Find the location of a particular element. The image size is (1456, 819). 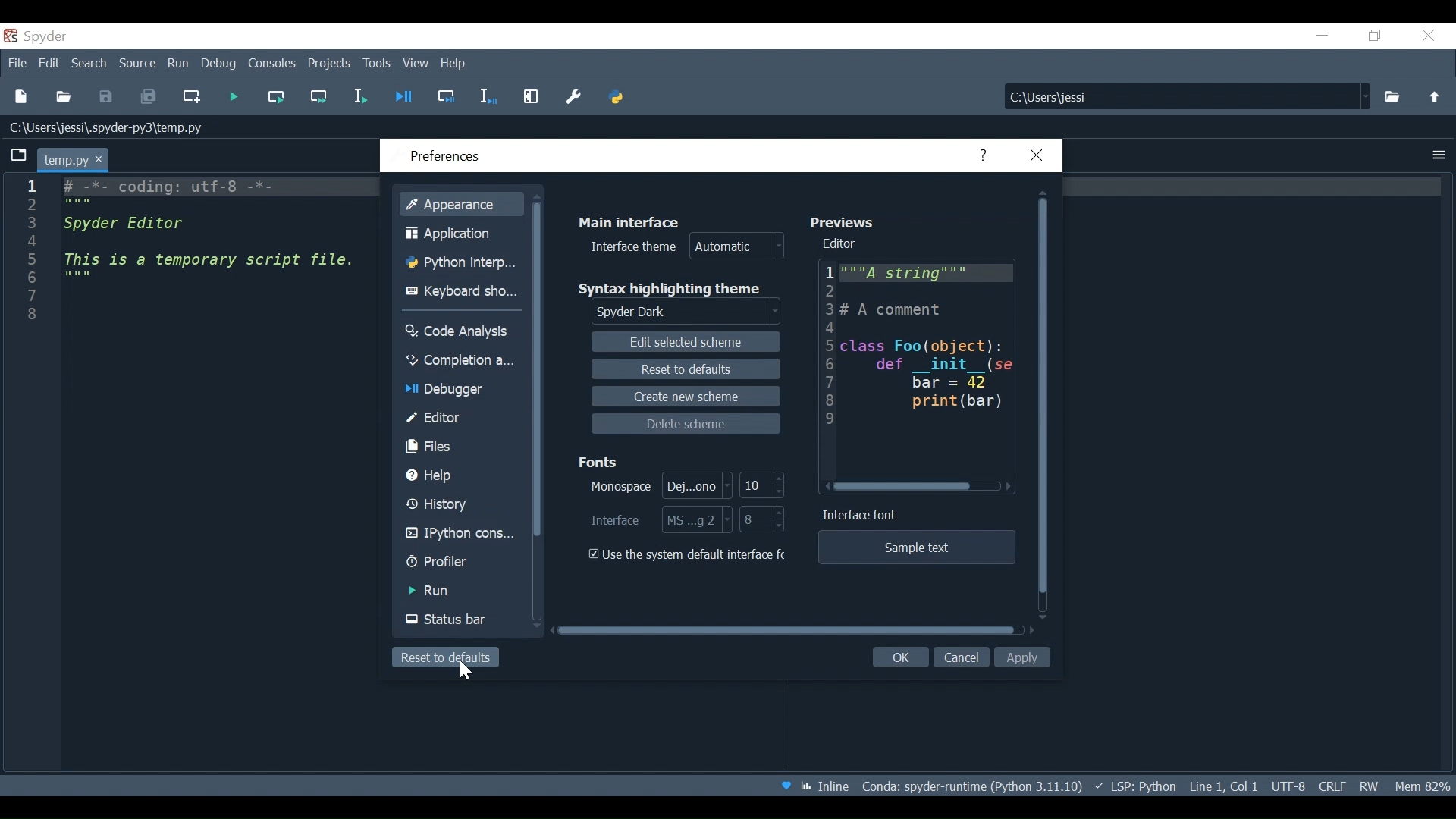

Editor Preview is located at coordinates (913, 366).